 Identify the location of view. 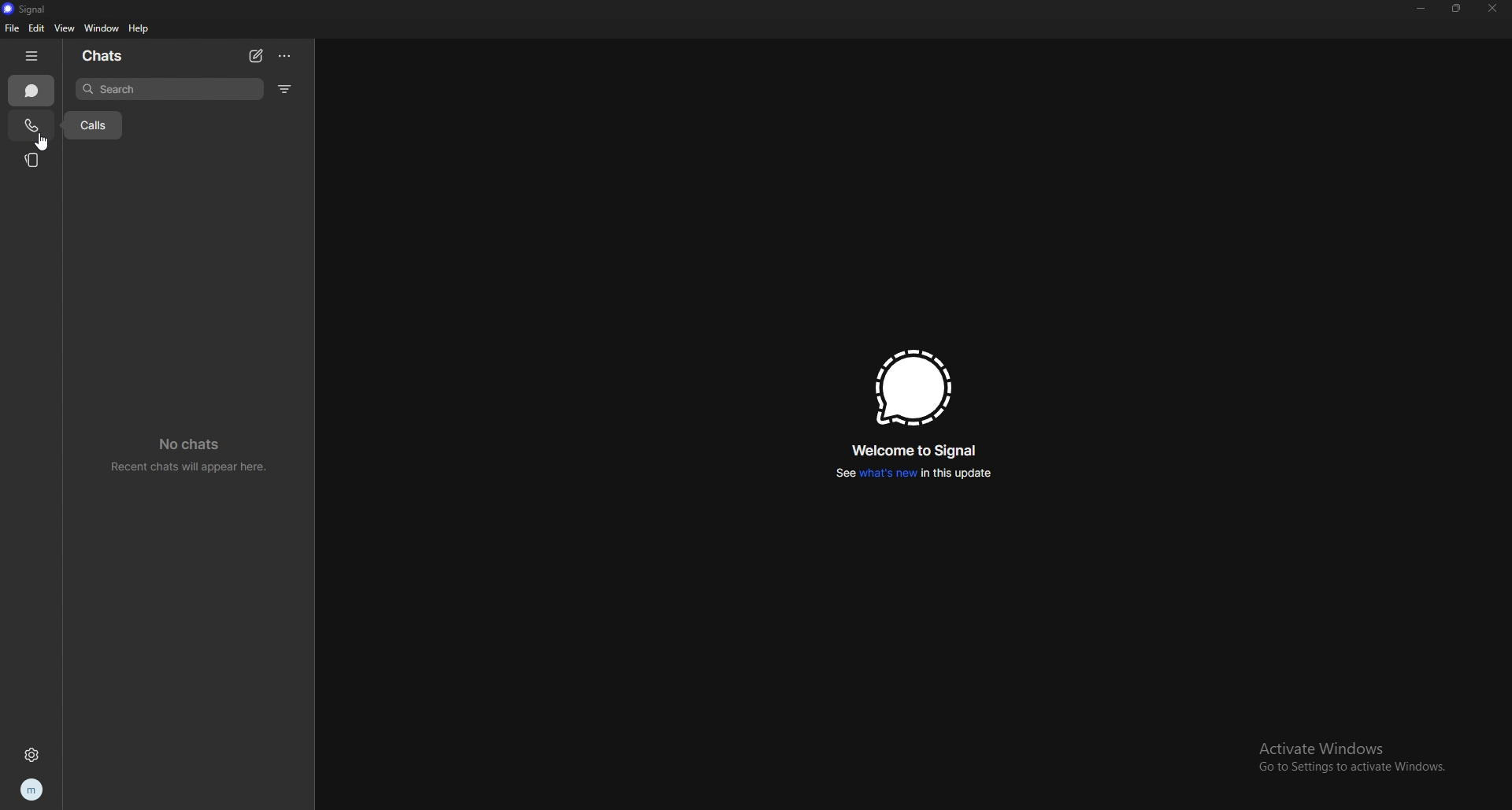
(65, 28).